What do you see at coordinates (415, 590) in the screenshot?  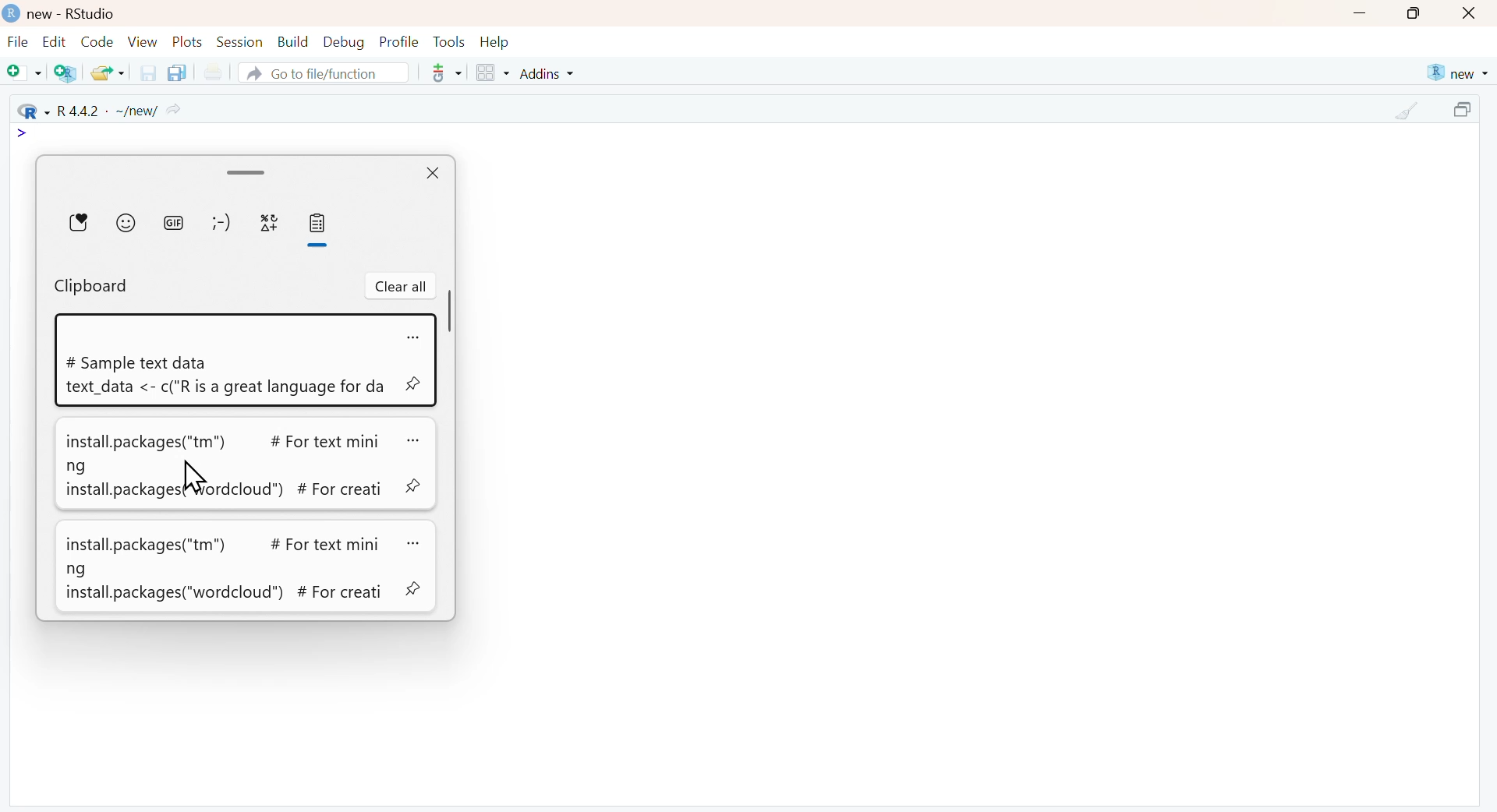 I see `pin` at bounding box center [415, 590].